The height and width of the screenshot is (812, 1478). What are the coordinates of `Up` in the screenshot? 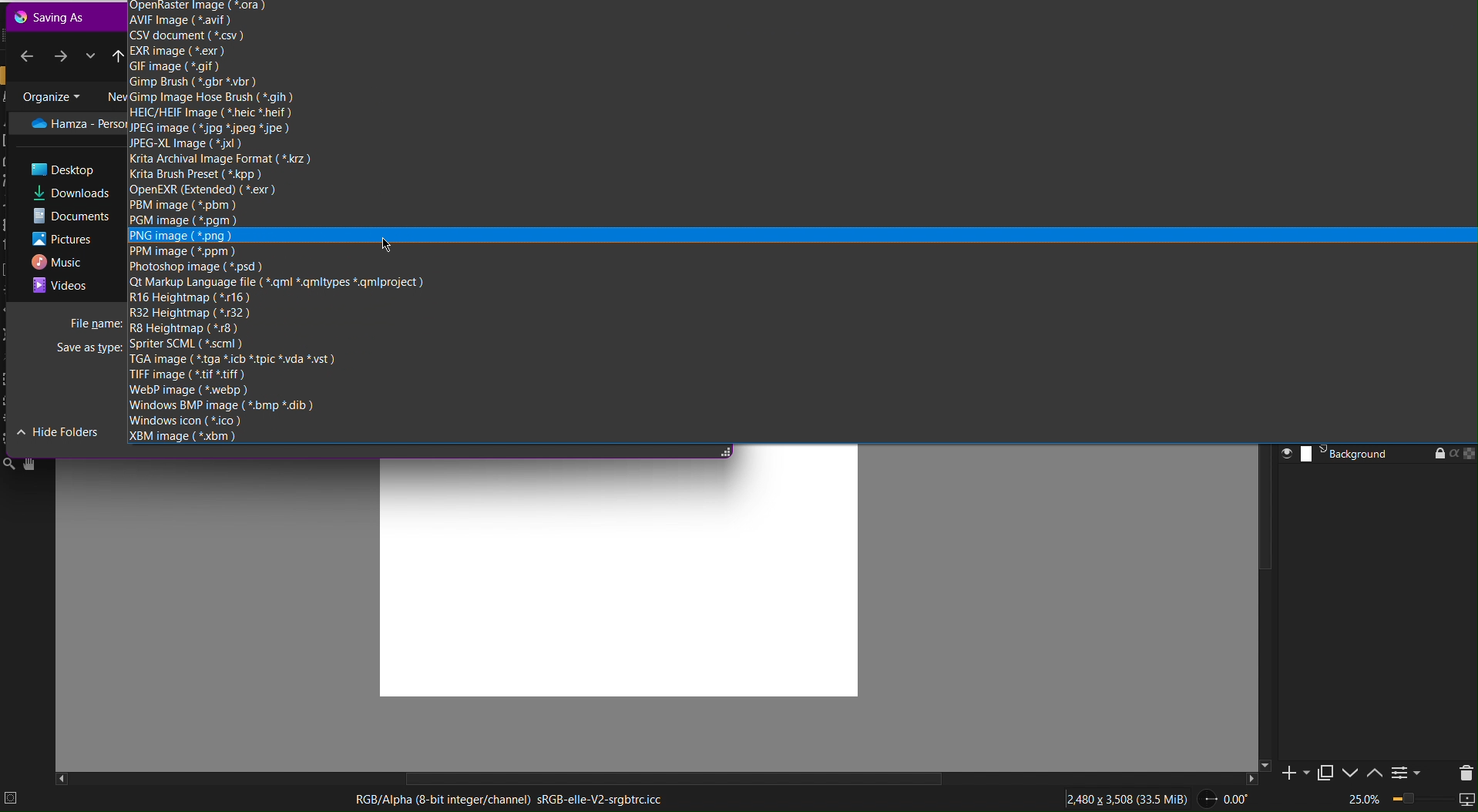 It's located at (119, 55).